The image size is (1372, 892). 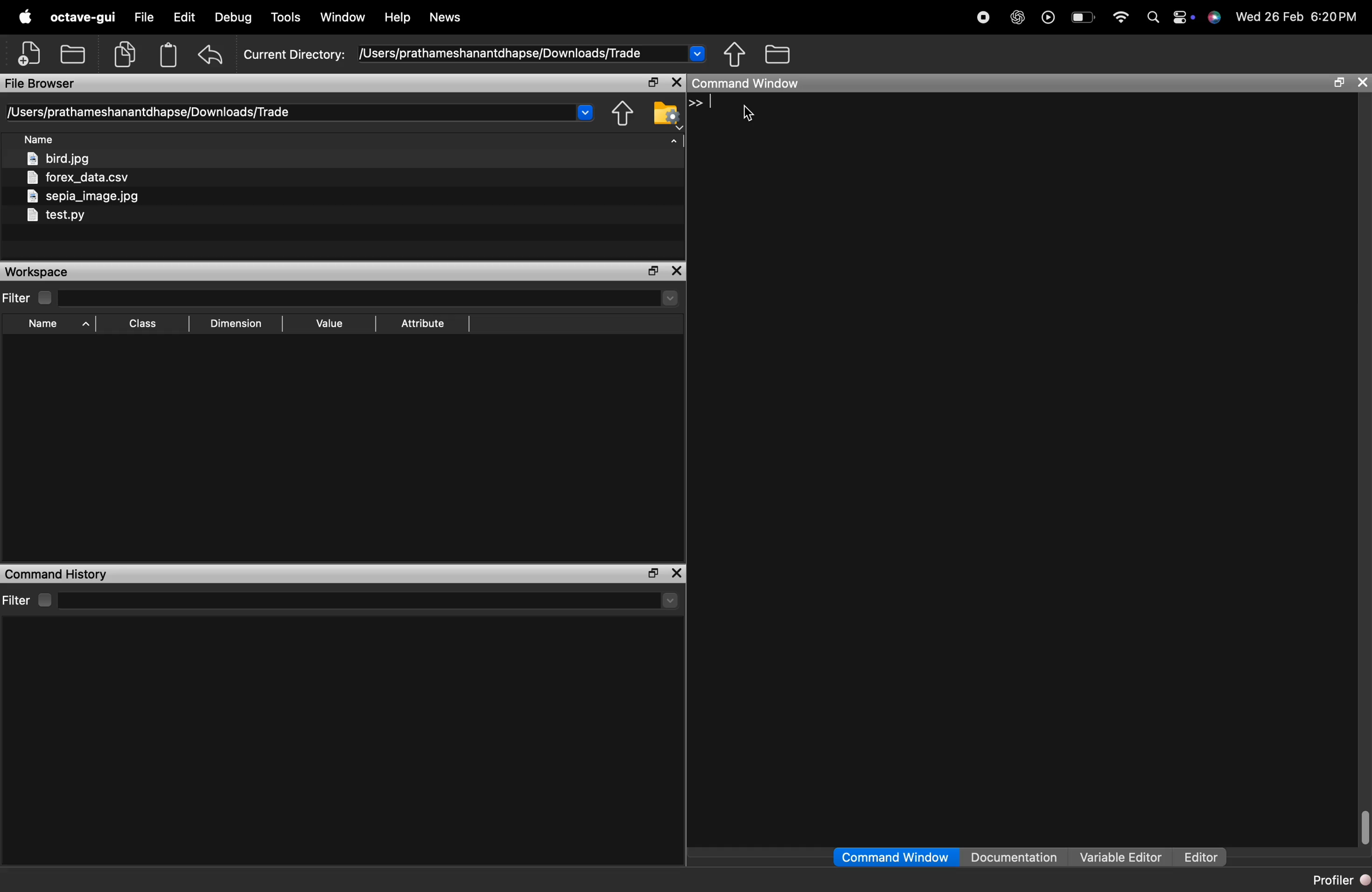 I want to click on Command Window, so click(x=747, y=83).